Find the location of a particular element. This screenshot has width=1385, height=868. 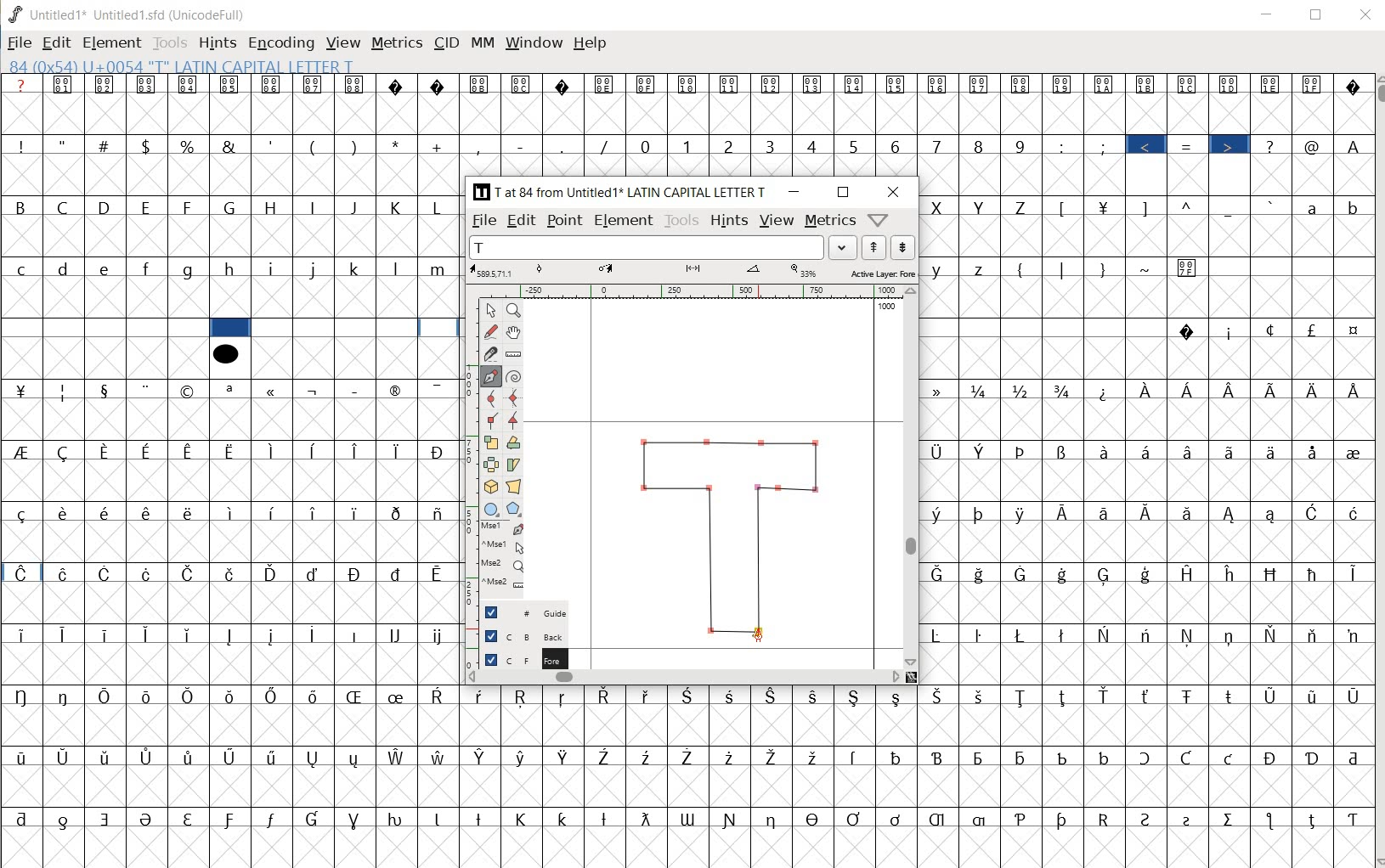

Symbol is located at coordinates (1231, 635).